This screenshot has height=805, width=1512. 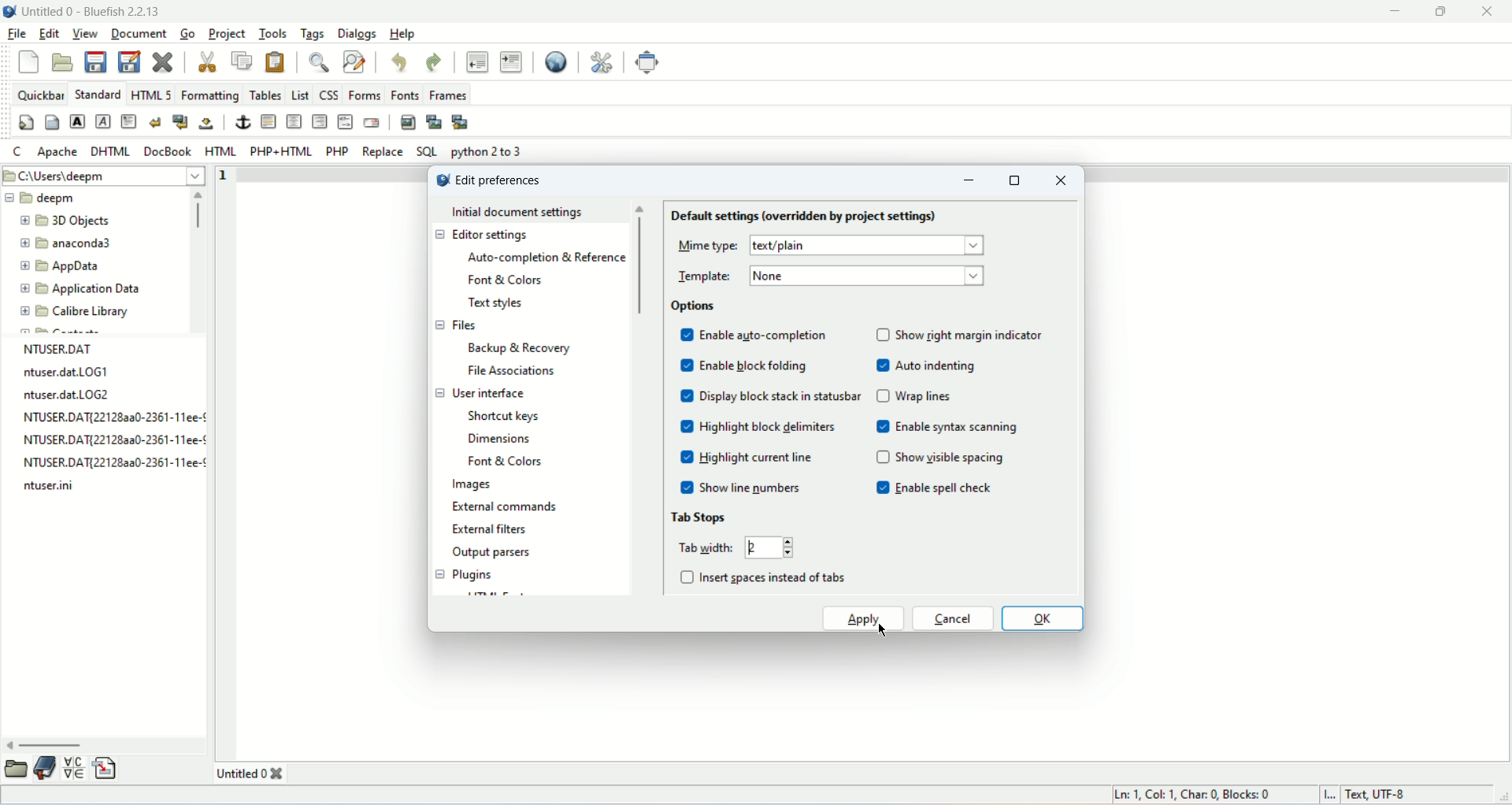 I want to click on auto completion and reference, so click(x=549, y=259).